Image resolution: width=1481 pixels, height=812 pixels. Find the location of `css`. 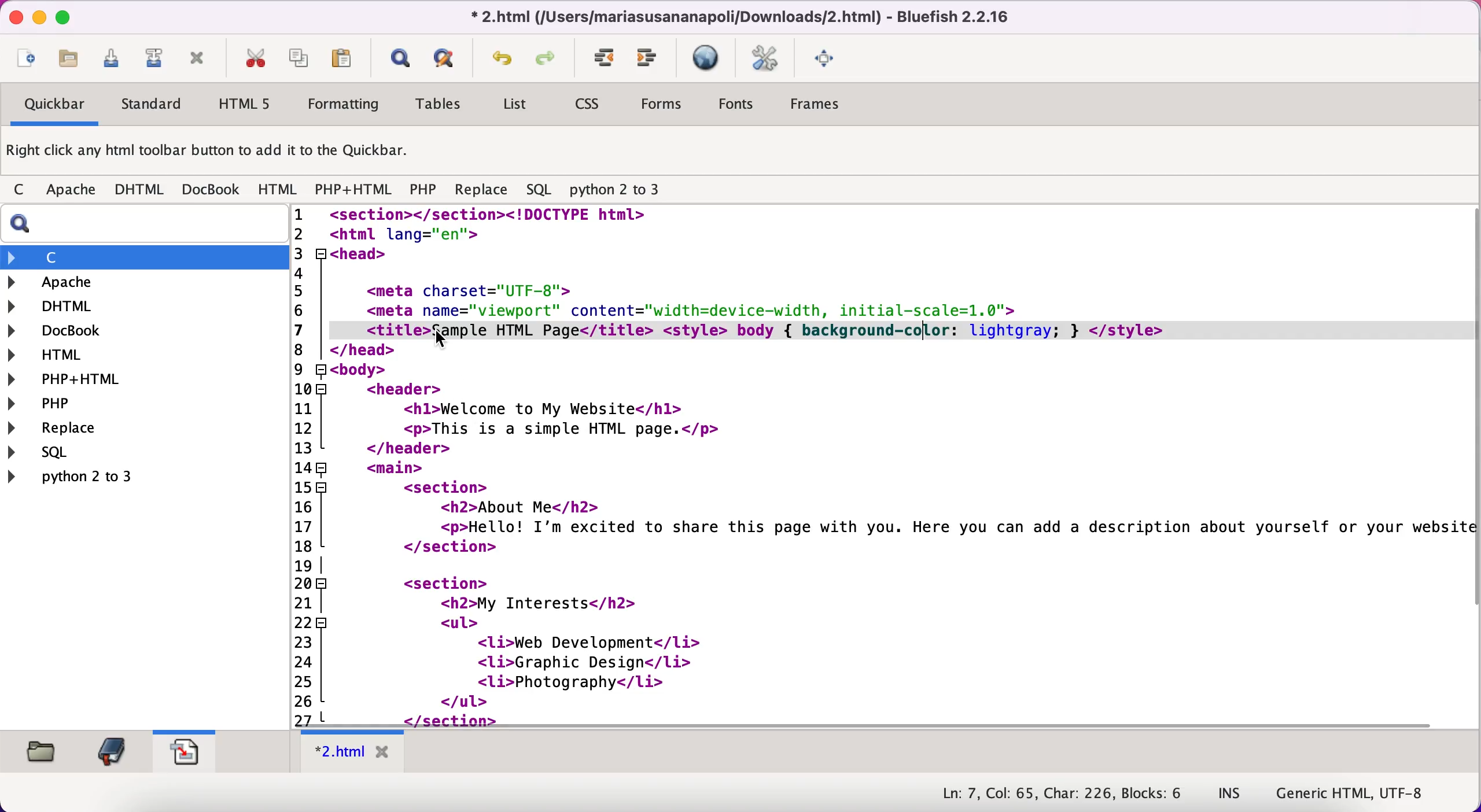

css is located at coordinates (589, 105).